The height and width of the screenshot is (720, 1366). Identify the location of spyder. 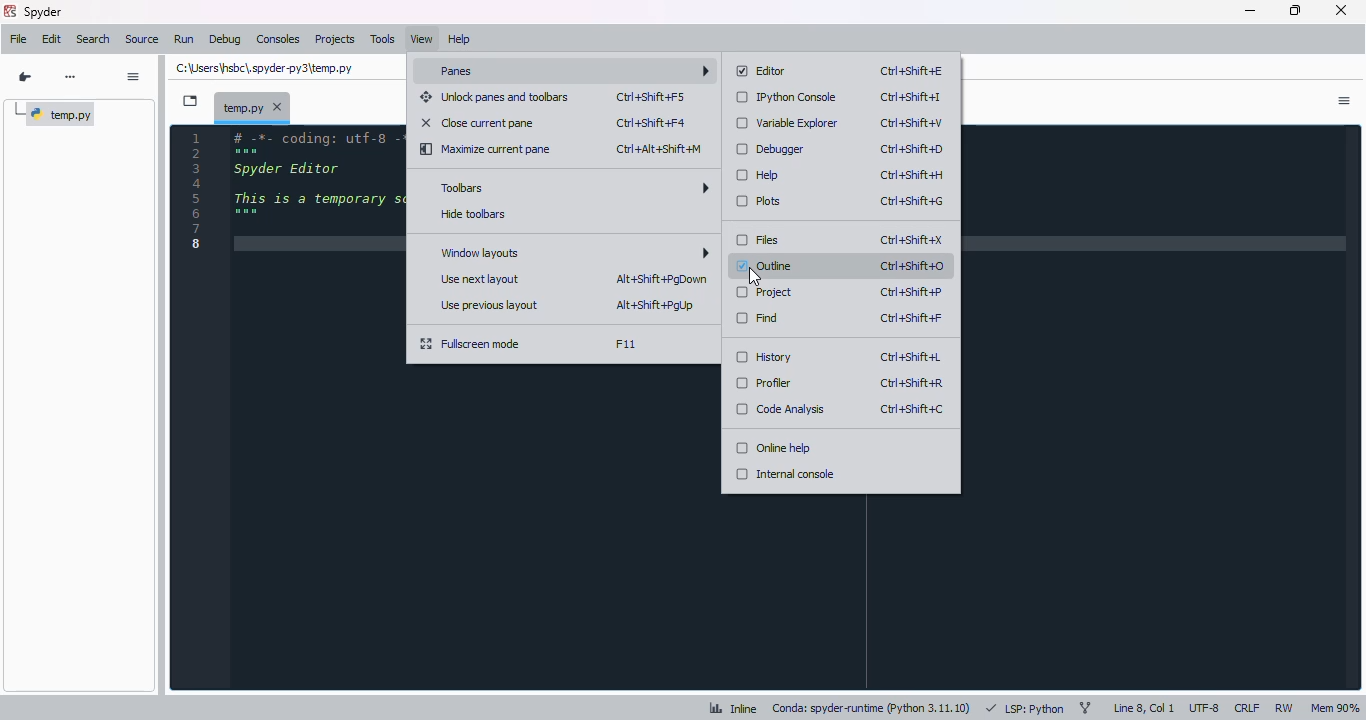
(42, 12).